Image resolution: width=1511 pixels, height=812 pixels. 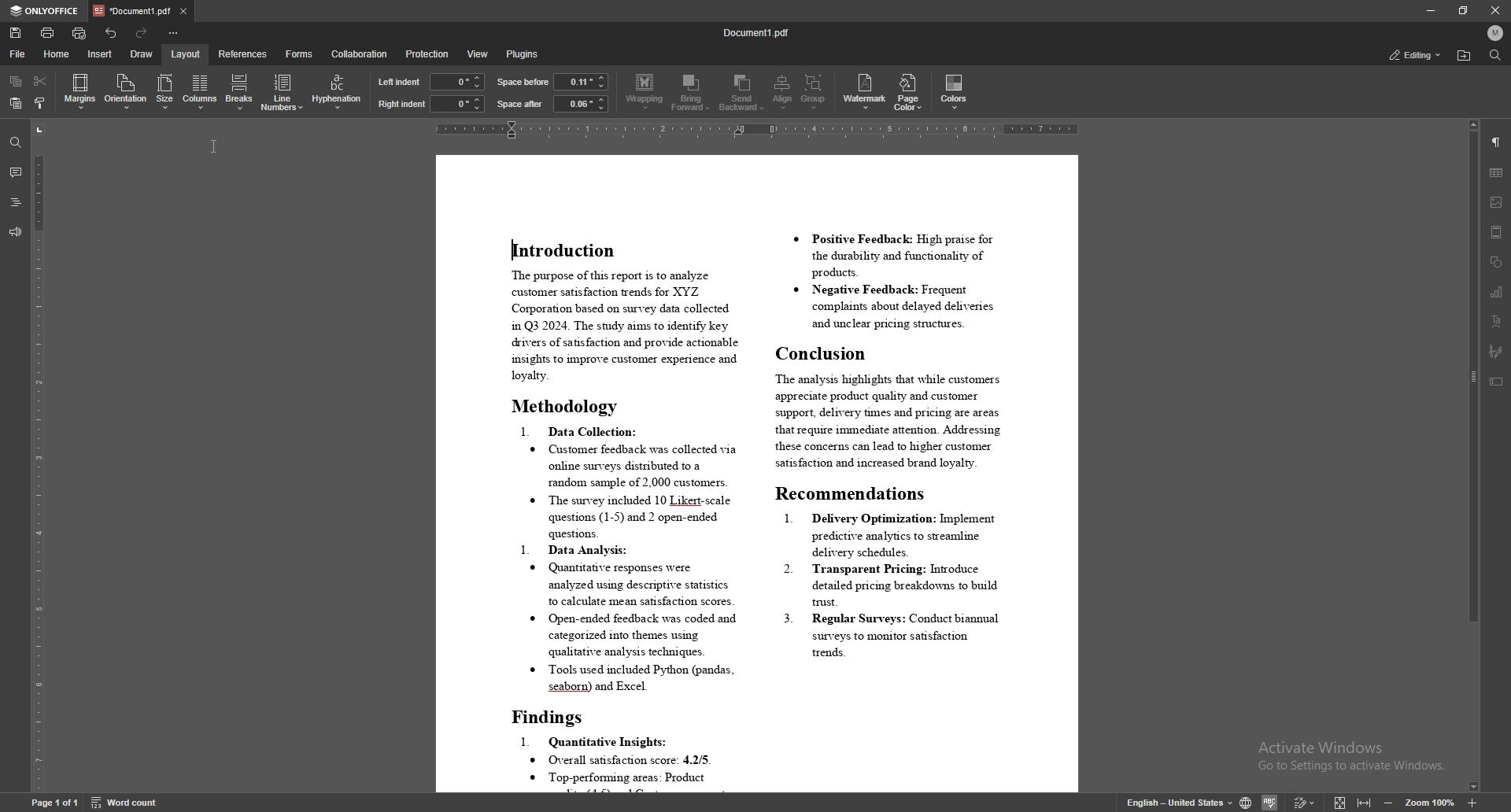 I want to click on protection, so click(x=427, y=53).